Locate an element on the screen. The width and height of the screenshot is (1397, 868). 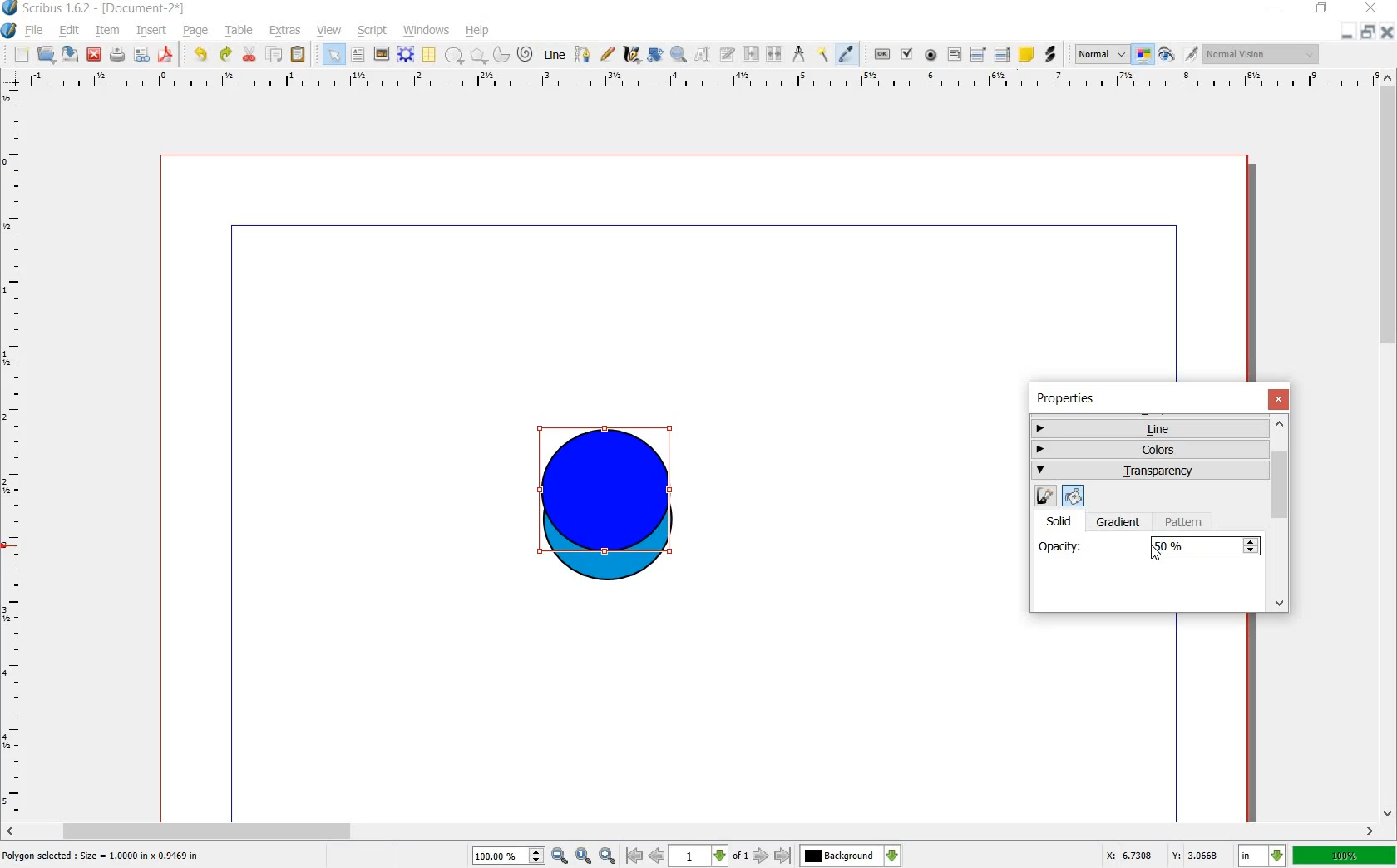
unlink text frames is located at coordinates (777, 55).